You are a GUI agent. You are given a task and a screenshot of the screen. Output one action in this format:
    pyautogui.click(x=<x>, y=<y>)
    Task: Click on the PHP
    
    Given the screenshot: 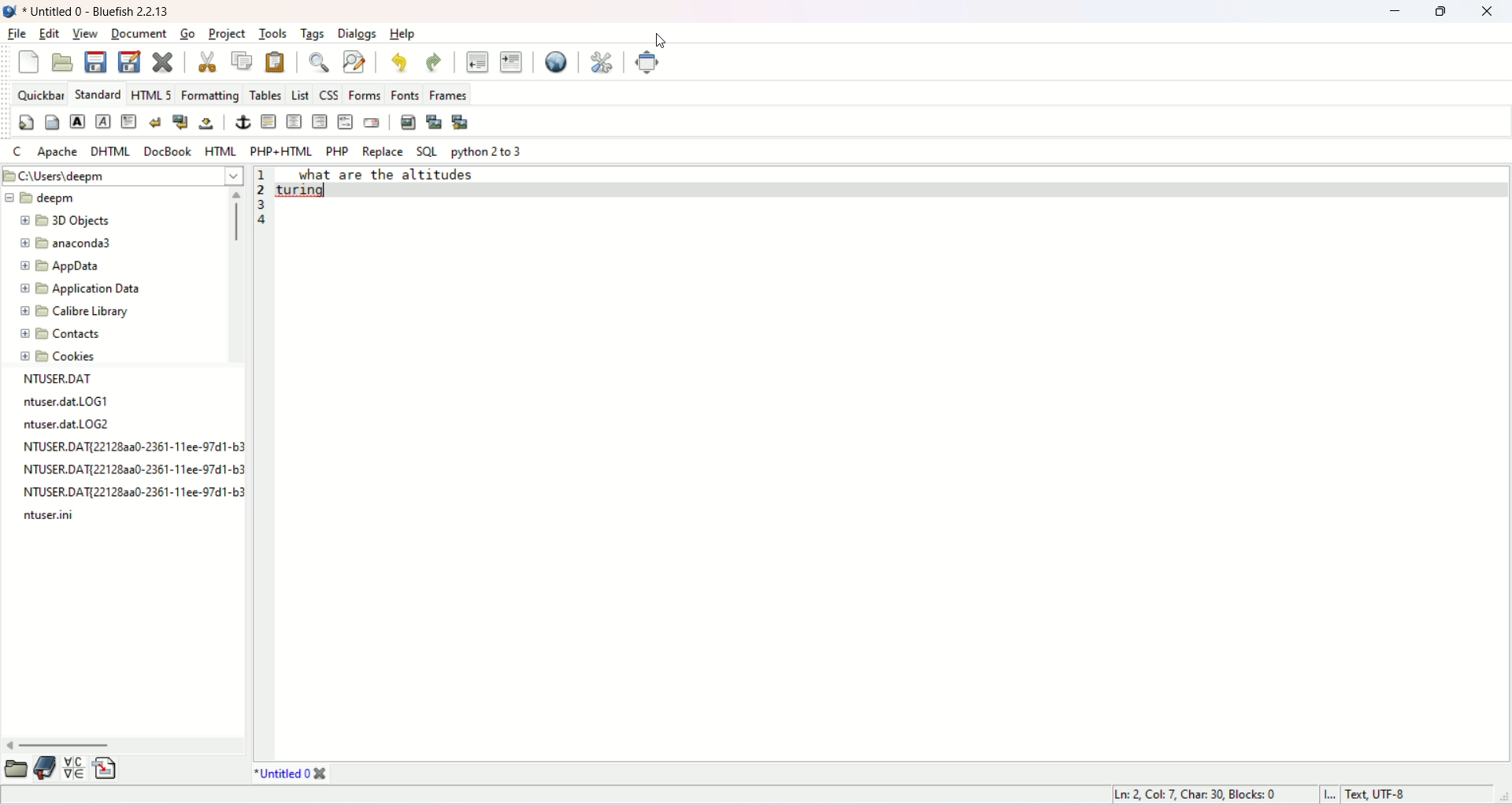 What is the action you would take?
    pyautogui.click(x=336, y=150)
    